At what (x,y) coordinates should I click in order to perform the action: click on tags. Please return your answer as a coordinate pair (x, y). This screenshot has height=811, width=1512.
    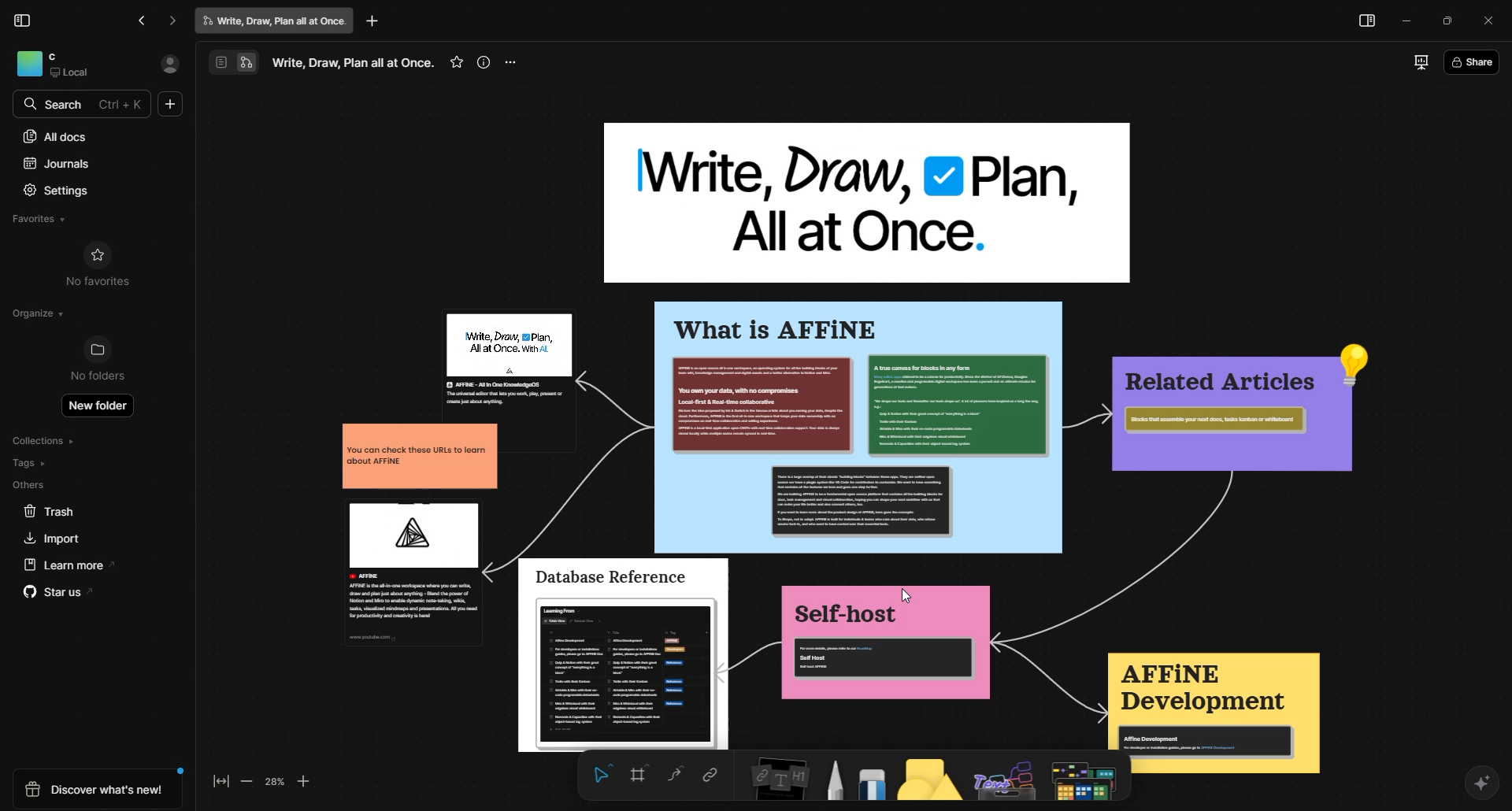
    Looking at the image, I should click on (30, 463).